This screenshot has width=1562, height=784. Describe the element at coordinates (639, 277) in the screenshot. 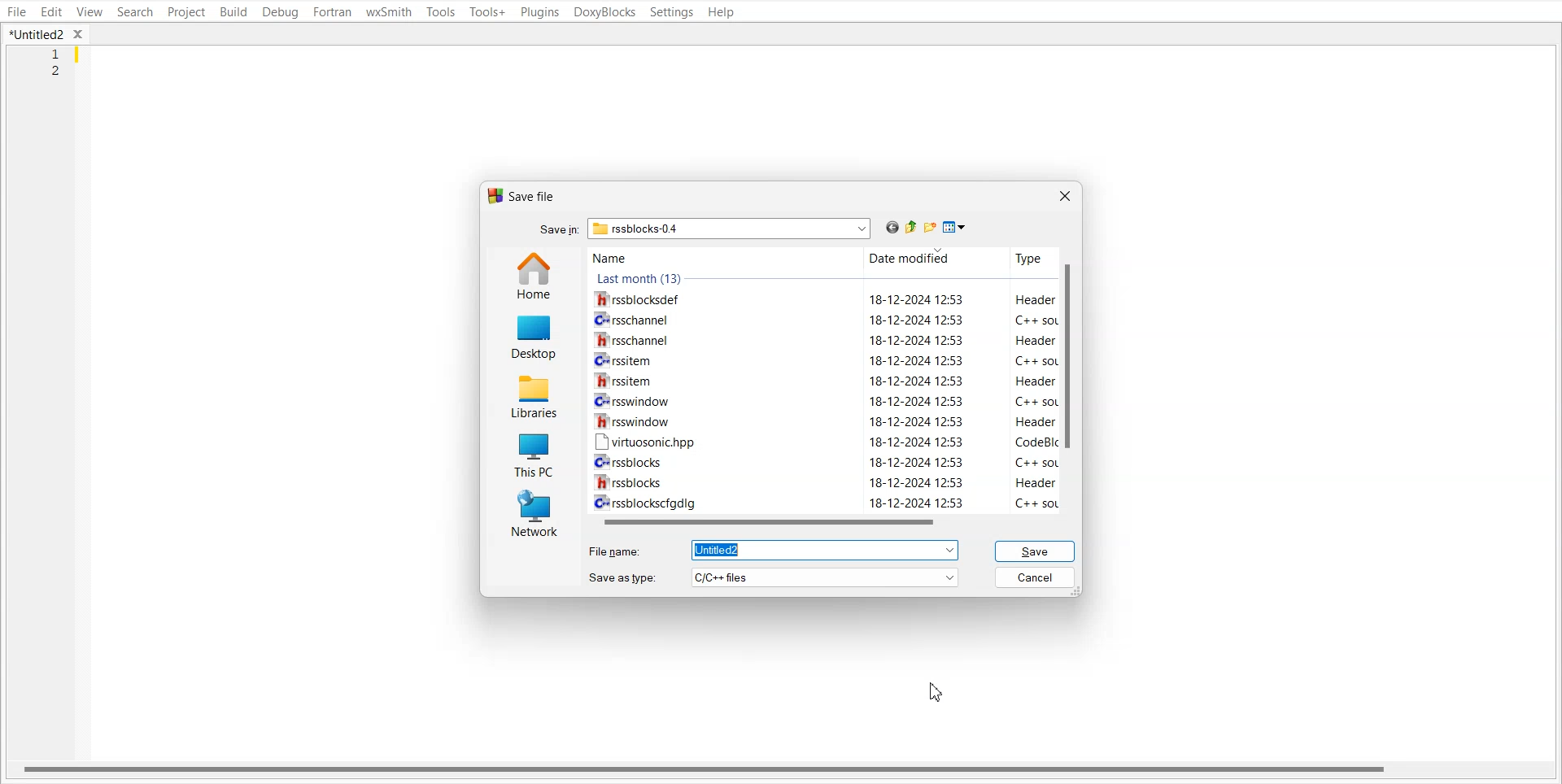

I see `Text` at that location.